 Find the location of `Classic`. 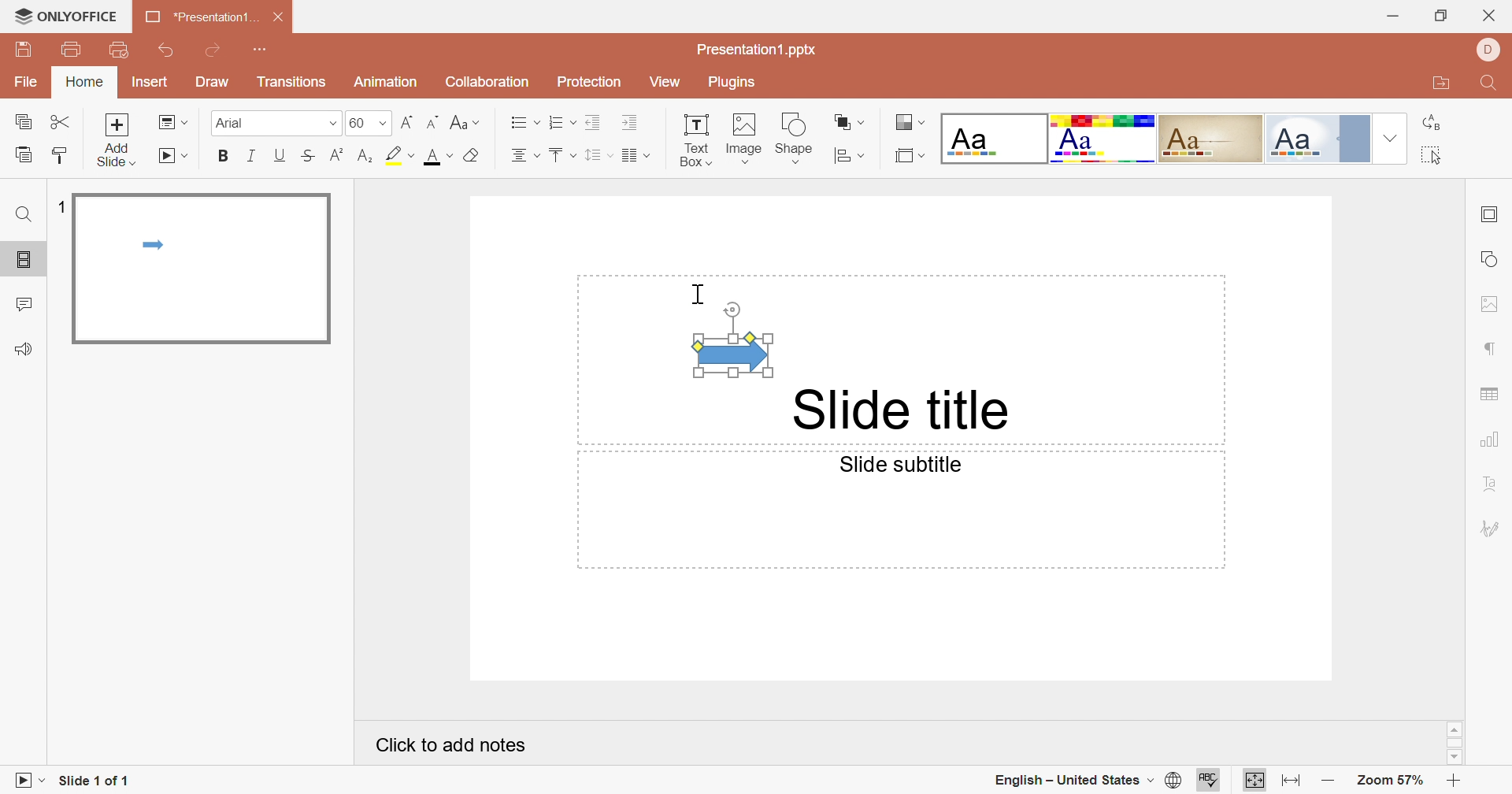

Classic is located at coordinates (1210, 138).